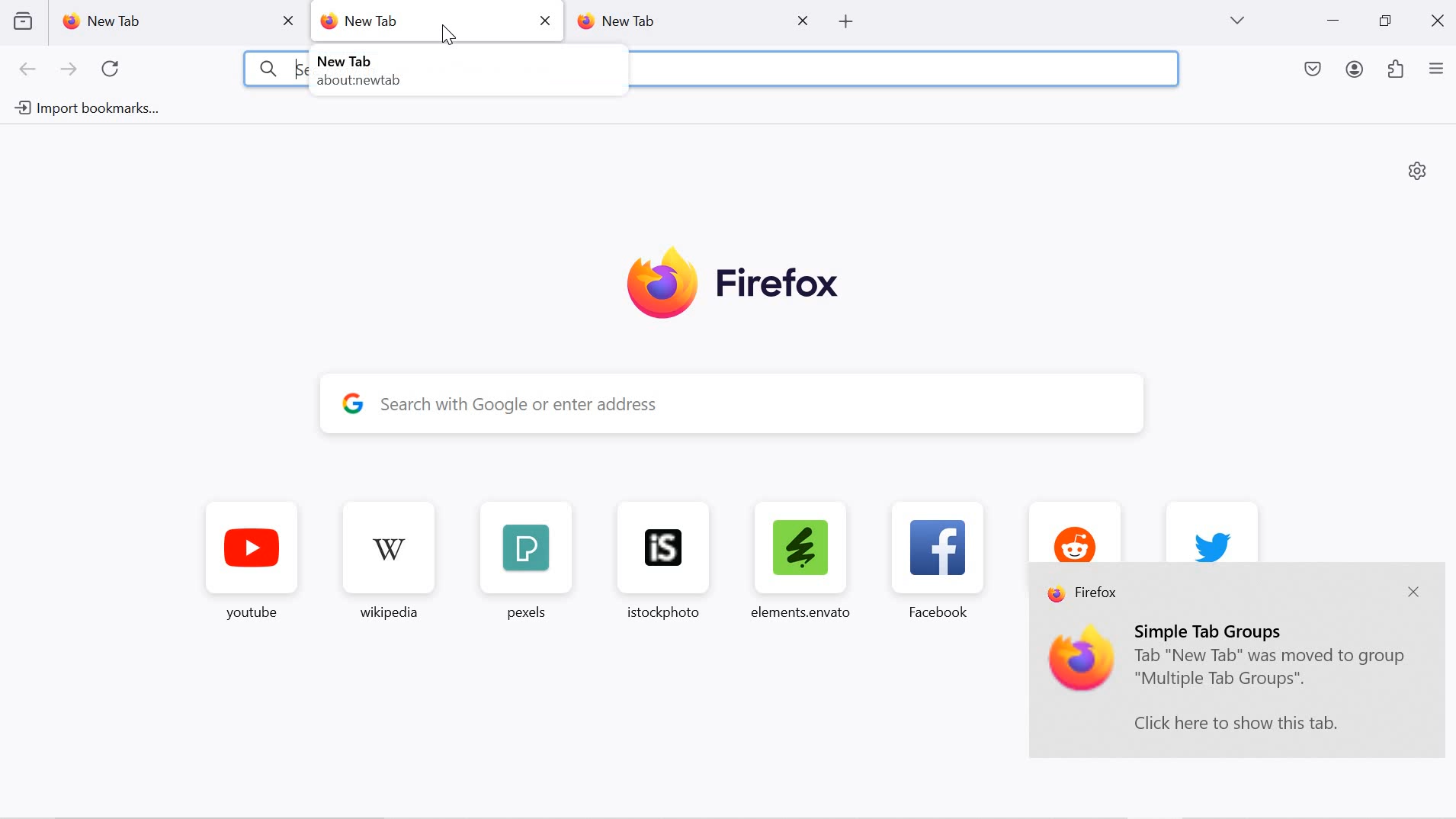  What do you see at coordinates (353, 402) in the screenshot?
I see `google logo` at bounding box center [353, 402].